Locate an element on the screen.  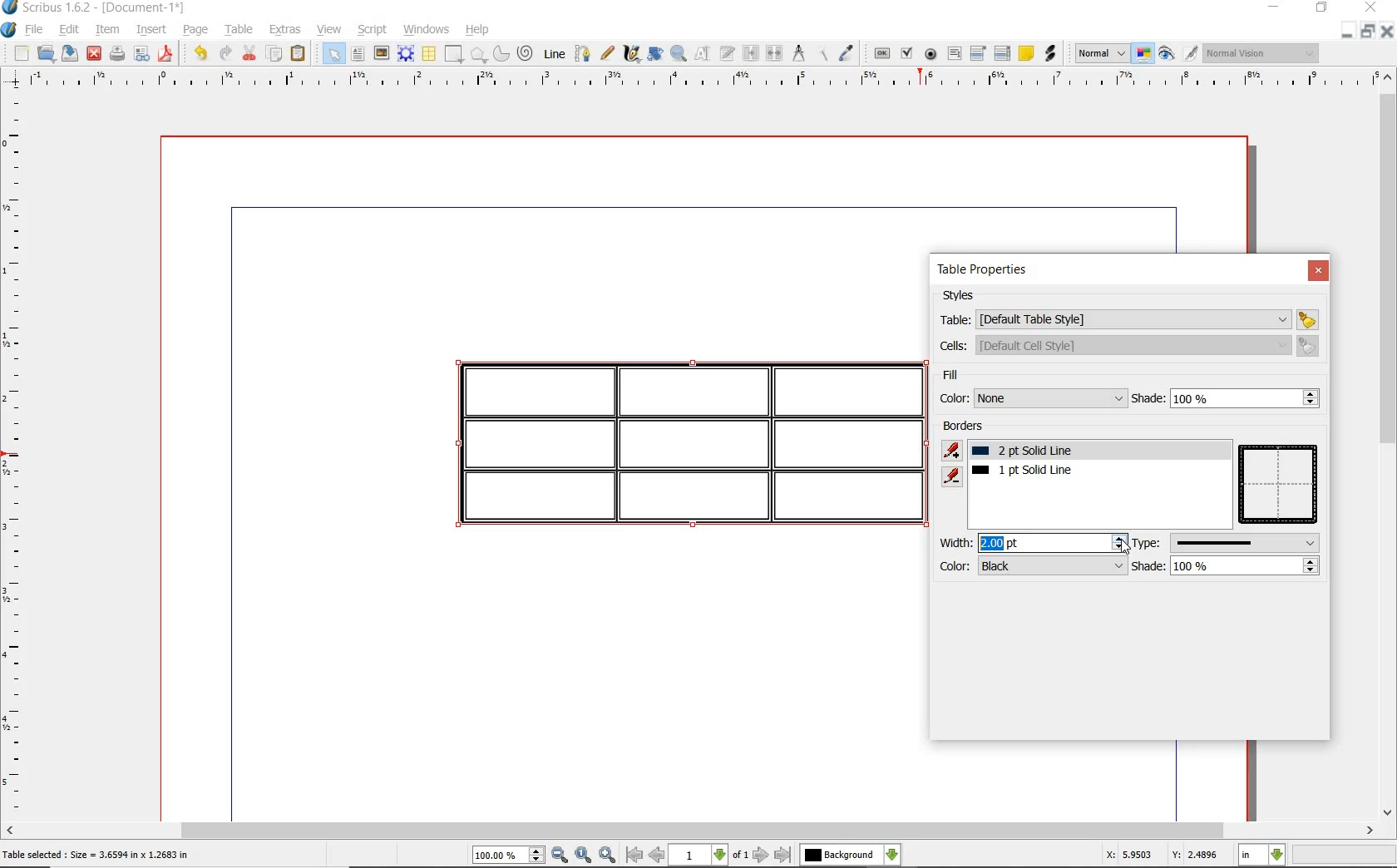
borders is located at coordinates (966, 427).